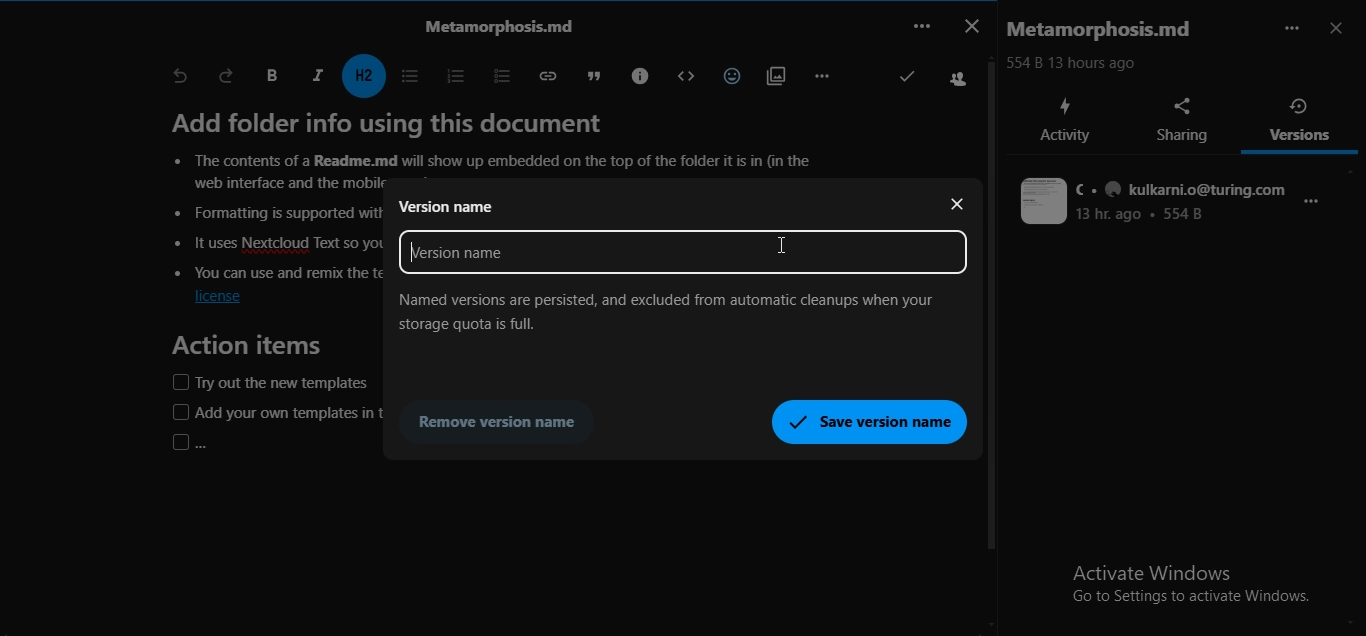  Describe the element at coordinates (1154, 202) in the screenshot. I see `text` at that location.